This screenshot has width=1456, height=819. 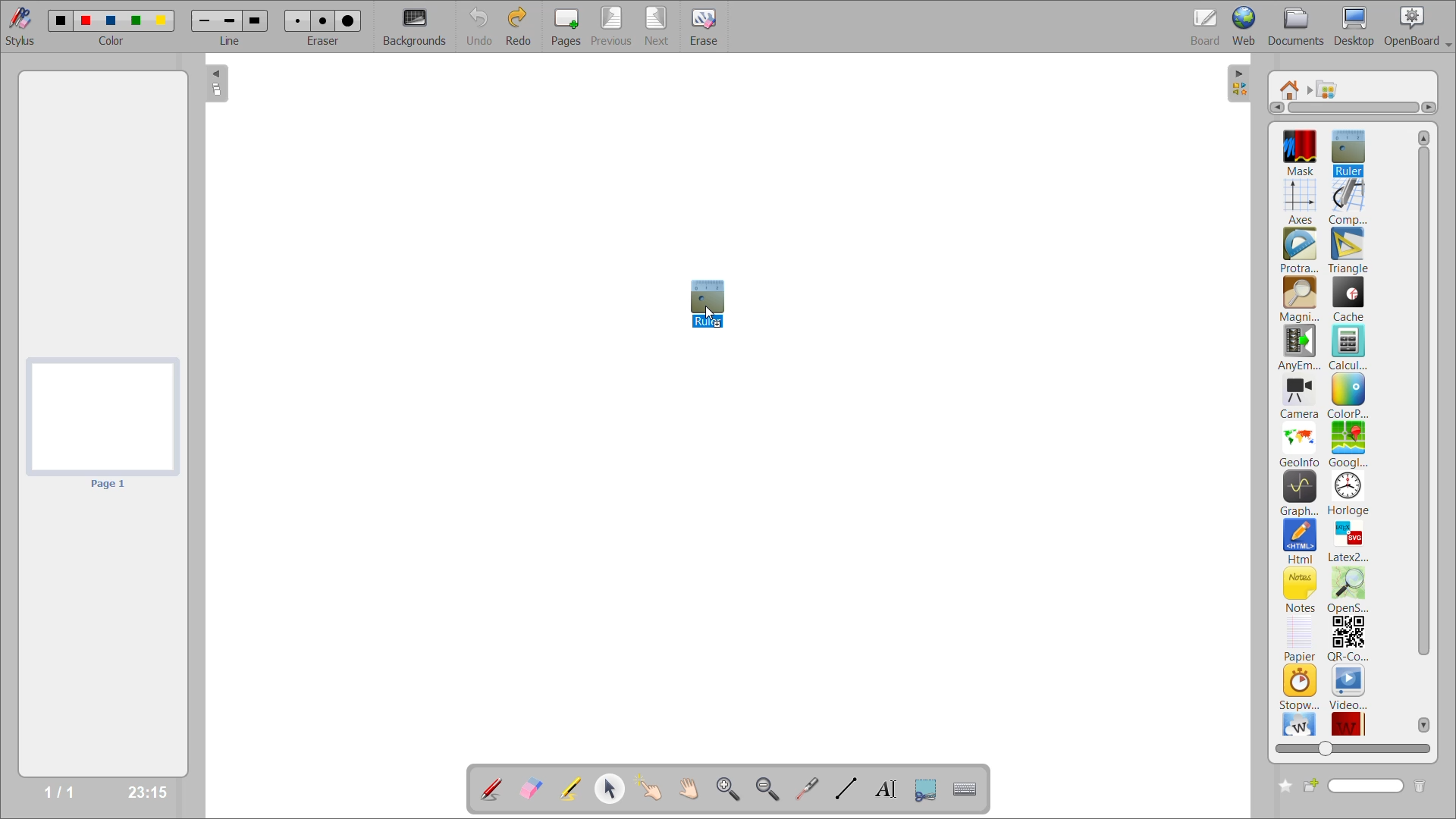 I want to click on cache, so click(x=1349, y=299).